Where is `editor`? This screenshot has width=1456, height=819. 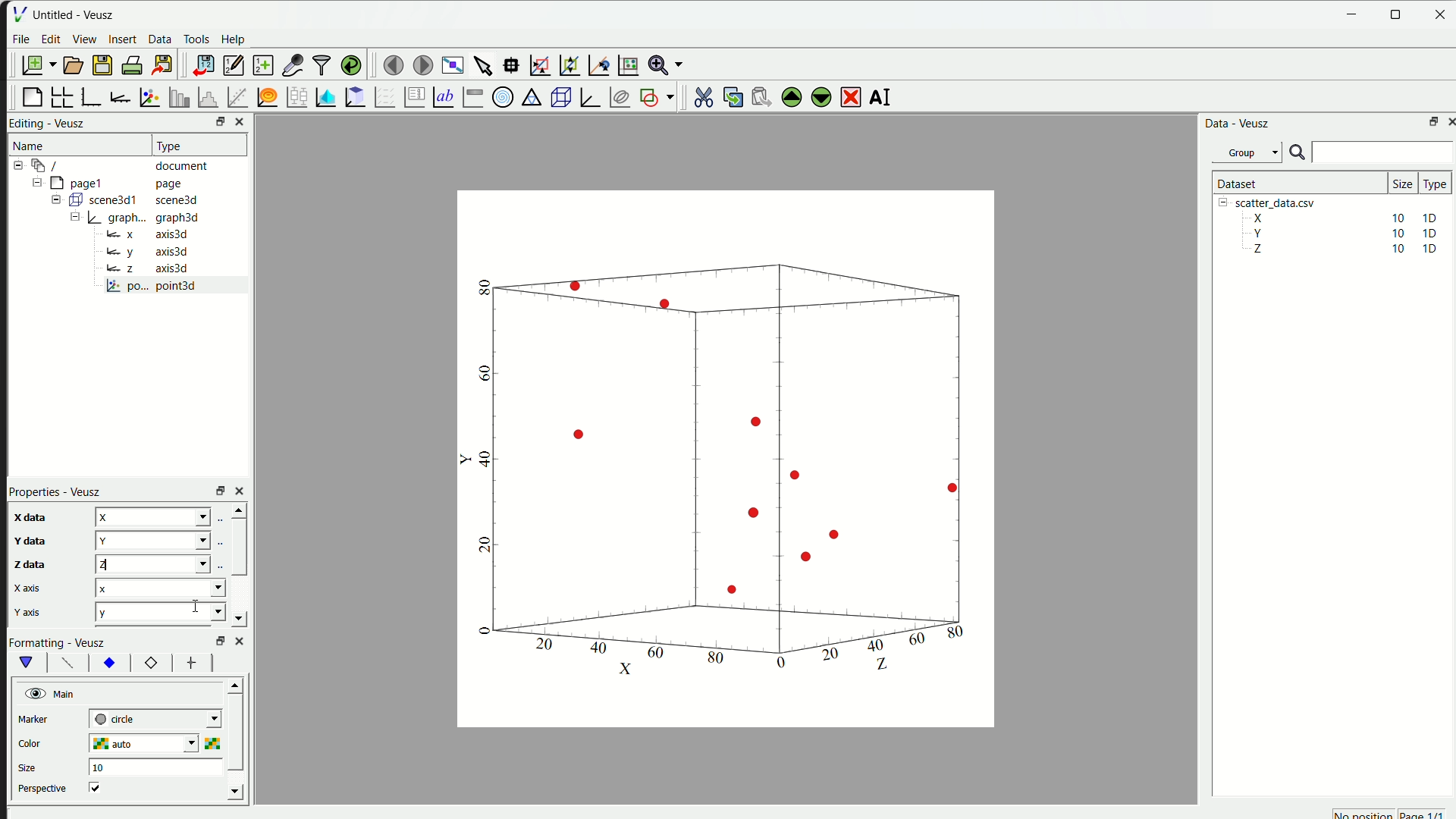
editor is located at coordinates (231, 65).